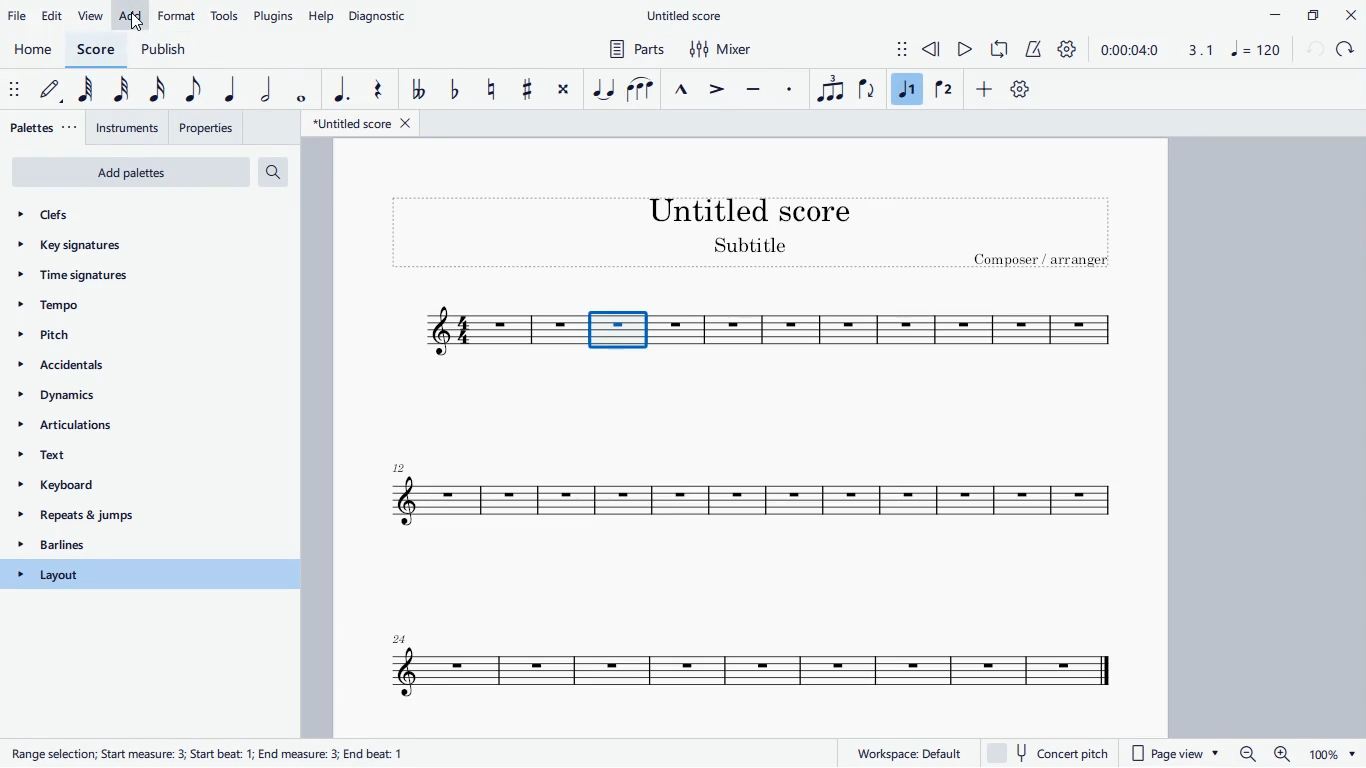 The height and width of the screenshot is (768, 1366). I want to click on default, so click(1020, 92).